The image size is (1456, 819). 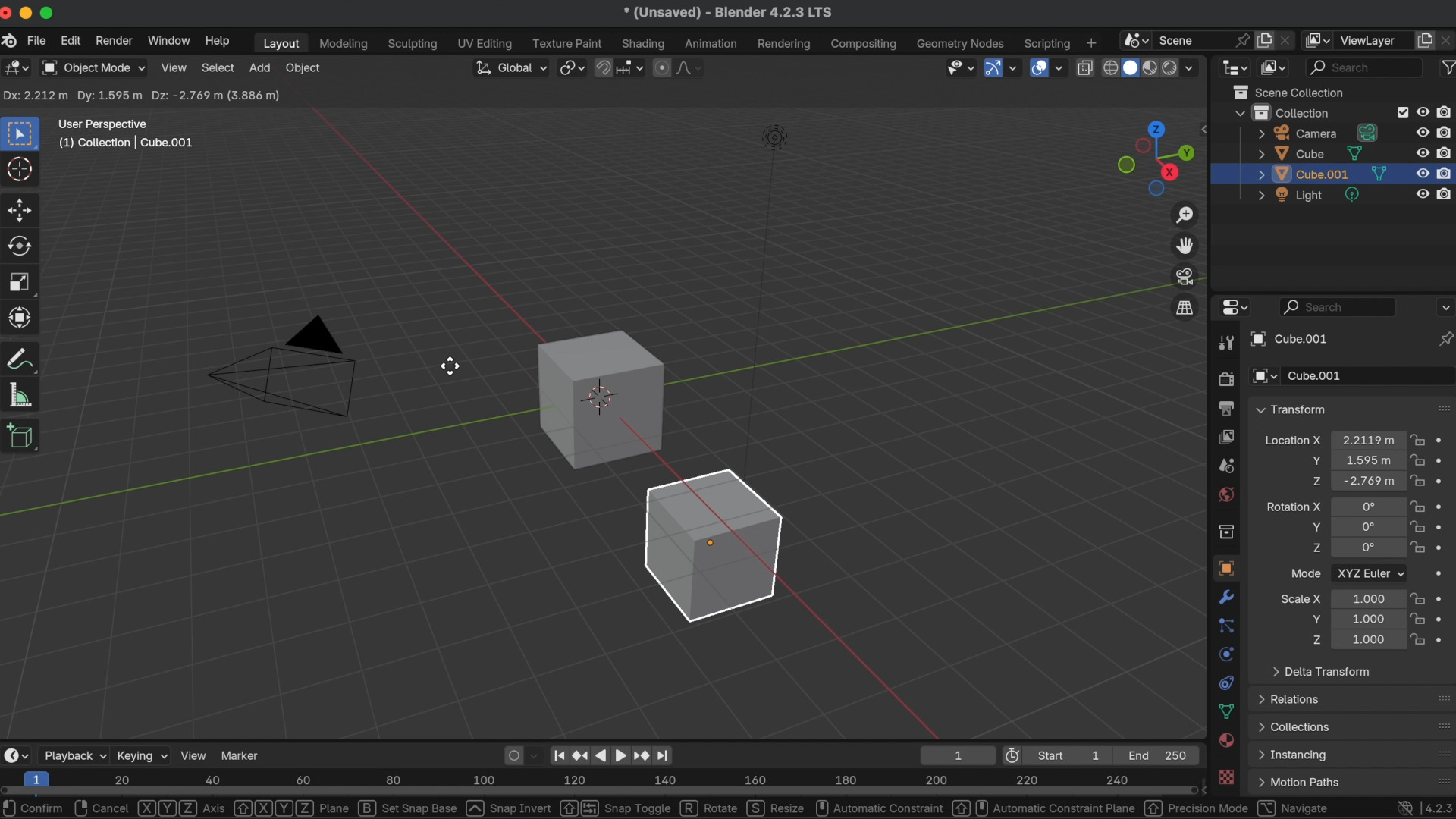 What do you see at coordinates (1319, 133) in the screenshot?
I see `camera` at bounding box center [1319, 133].